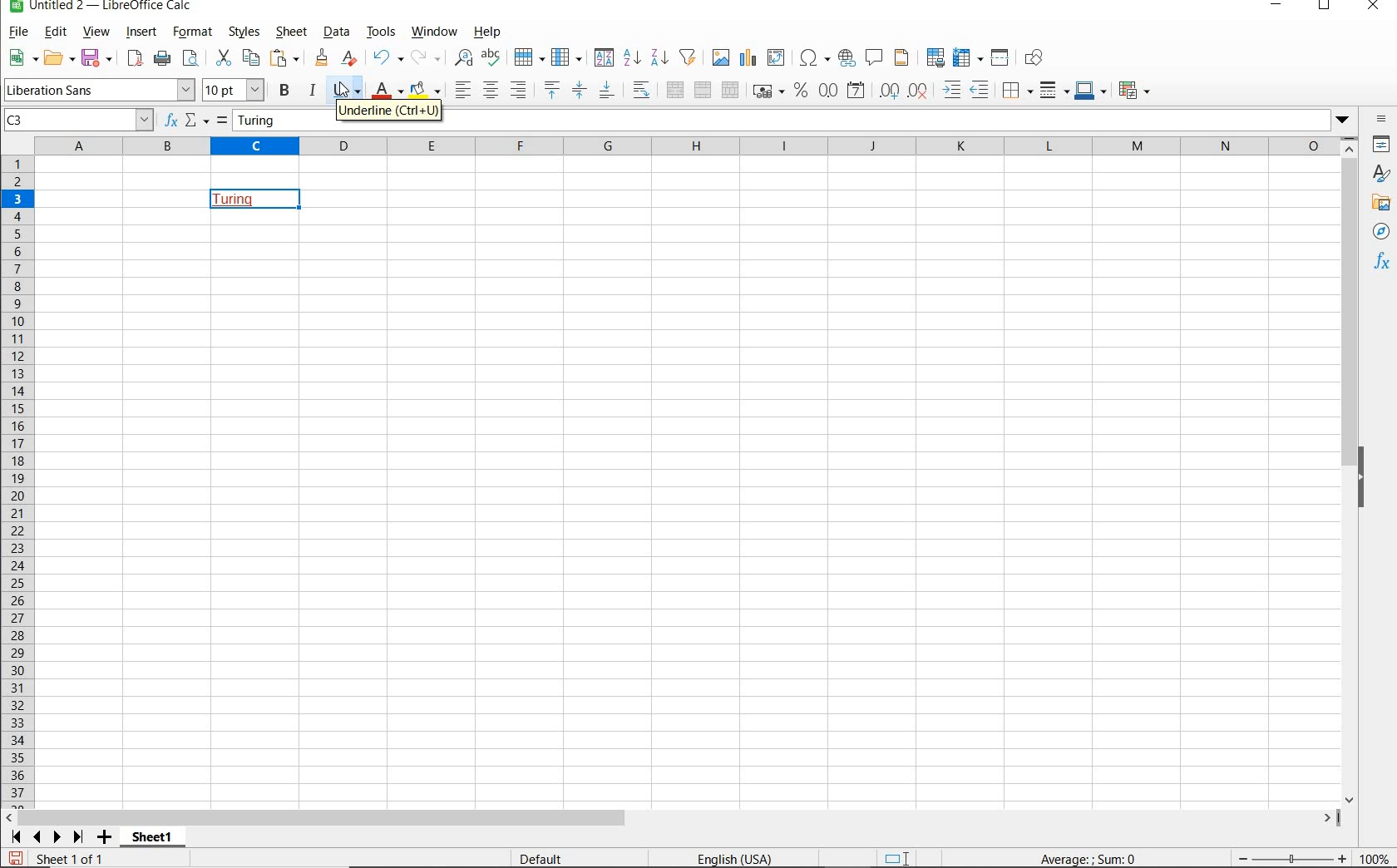 This screenshot has width=1397, height=868. I want to click on STYLES, so click(243, 33).